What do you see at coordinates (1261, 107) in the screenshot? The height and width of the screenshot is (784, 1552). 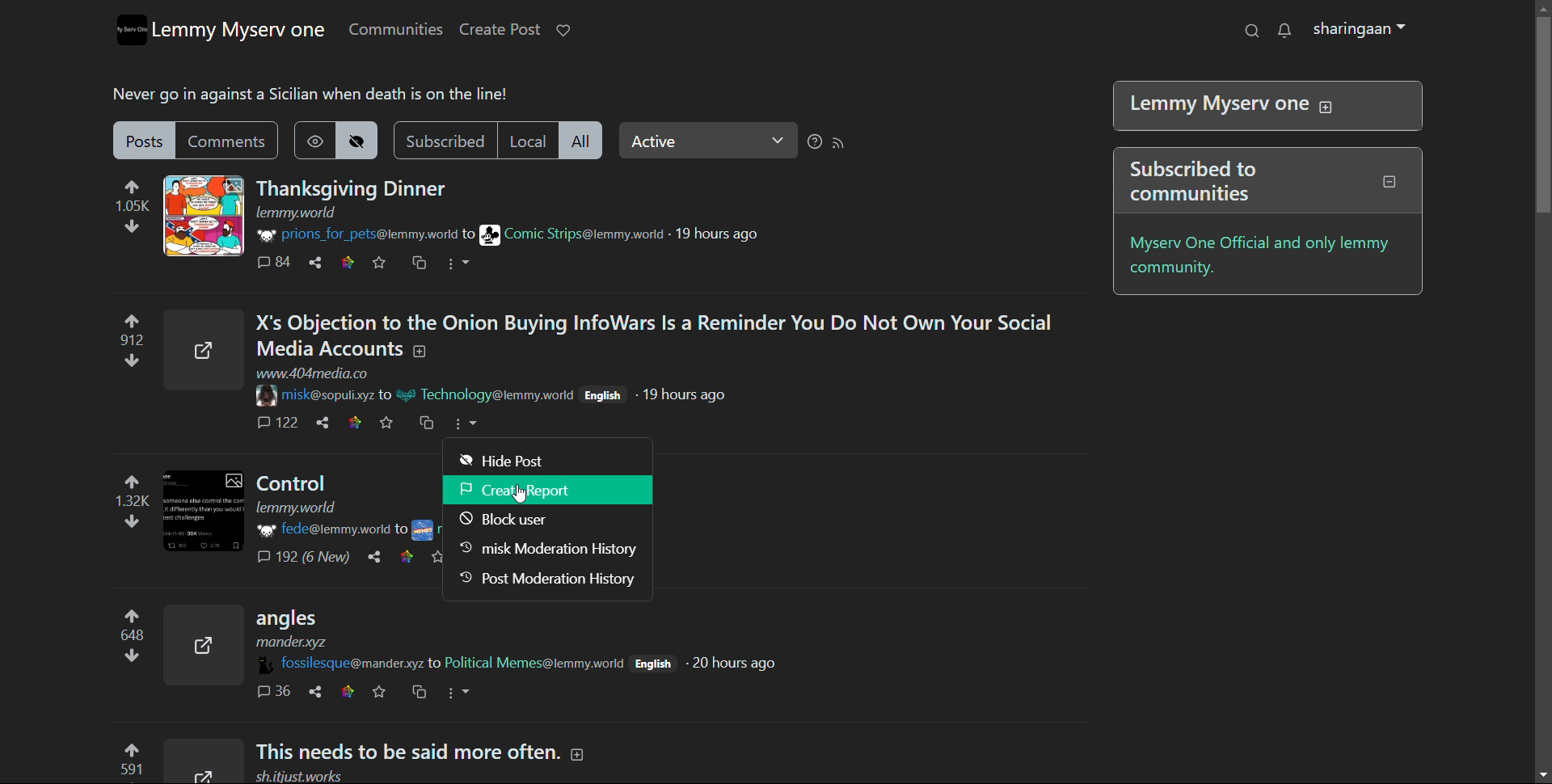 I see `Lemmy Myserv one` at bounding box center [1261, 107].